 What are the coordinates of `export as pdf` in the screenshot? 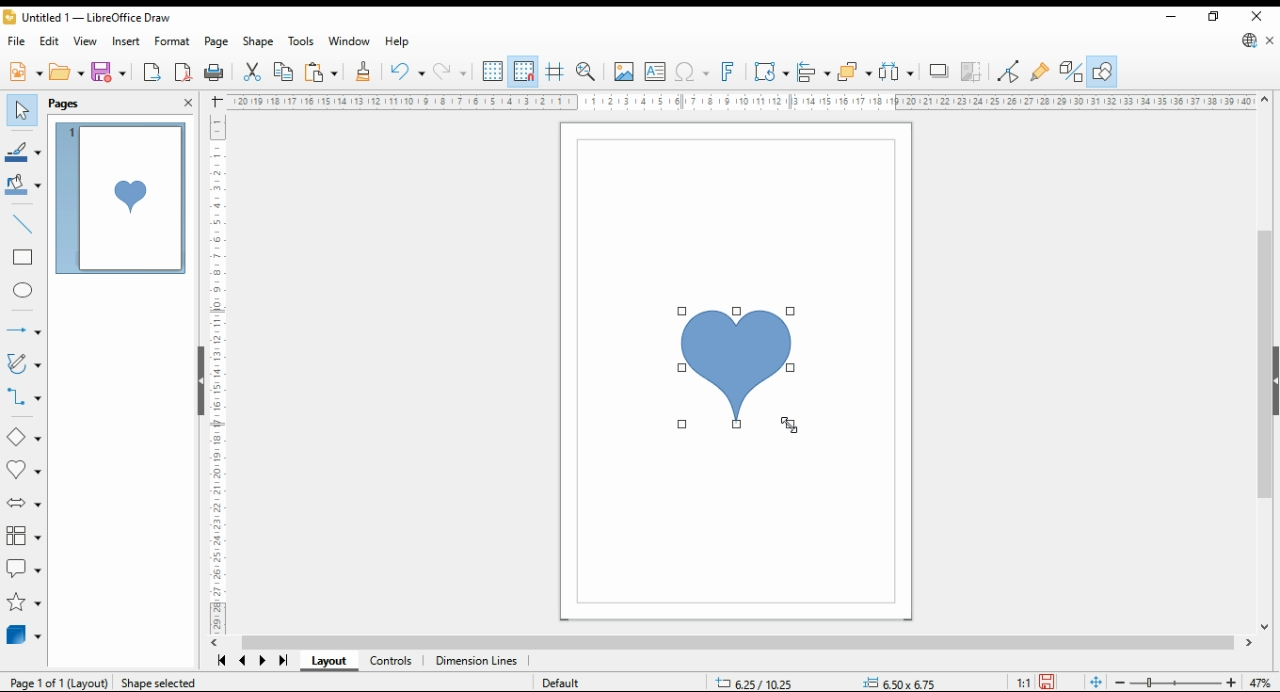 It's located at (184, 72).